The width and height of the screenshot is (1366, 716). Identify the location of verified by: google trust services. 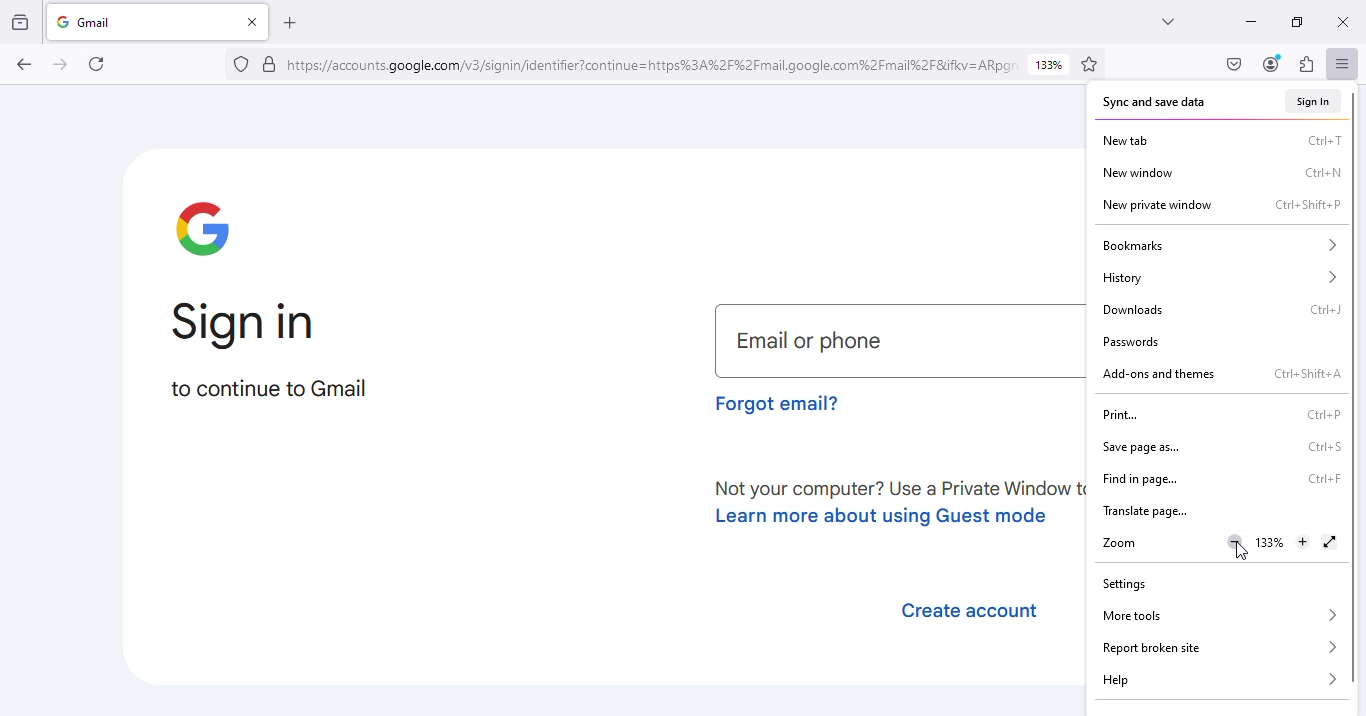
(270, 65).